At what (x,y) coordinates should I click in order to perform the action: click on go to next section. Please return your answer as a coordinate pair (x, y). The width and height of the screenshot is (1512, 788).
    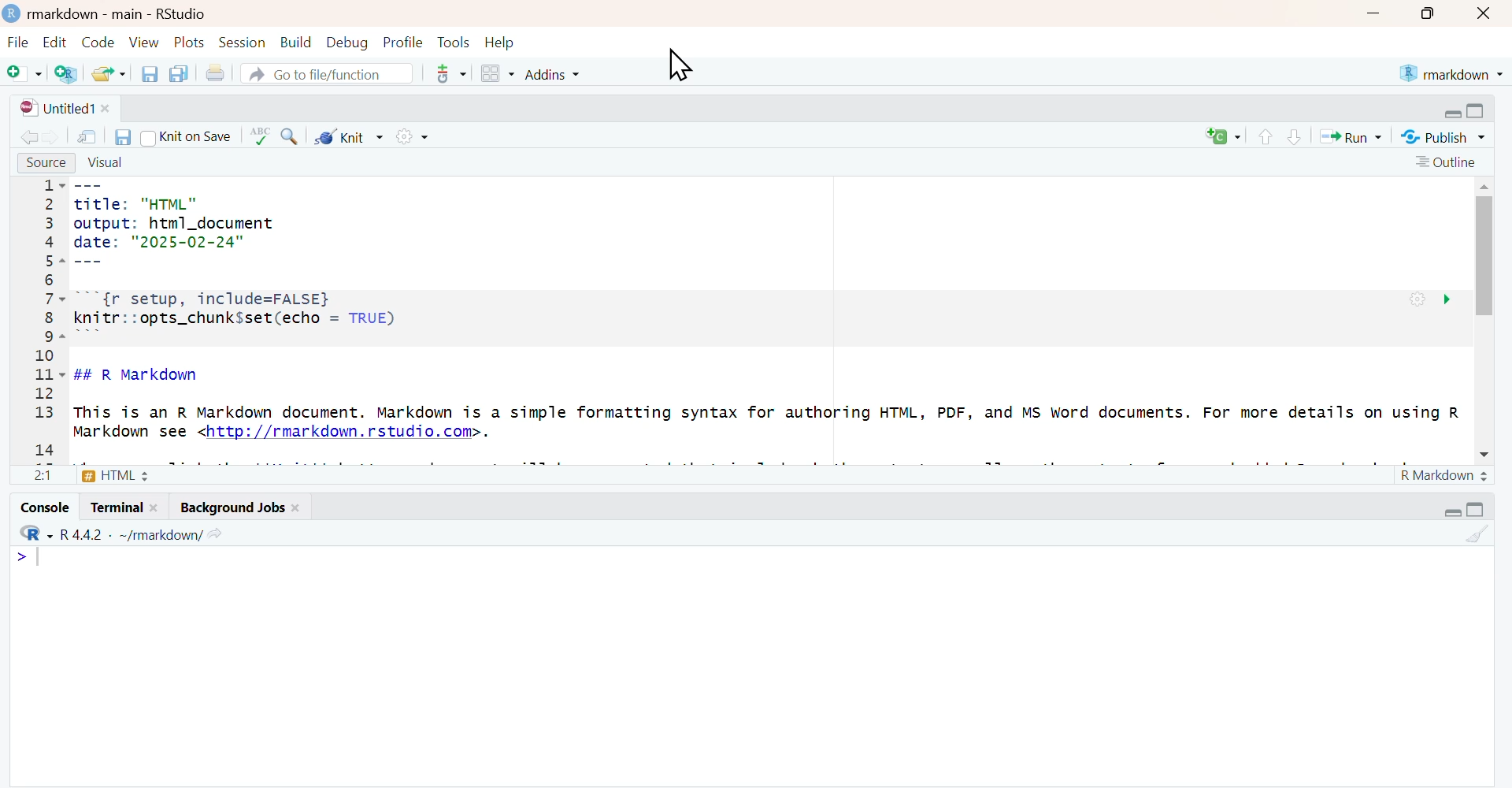
    Looking at the image, I should click on (1296, 137).